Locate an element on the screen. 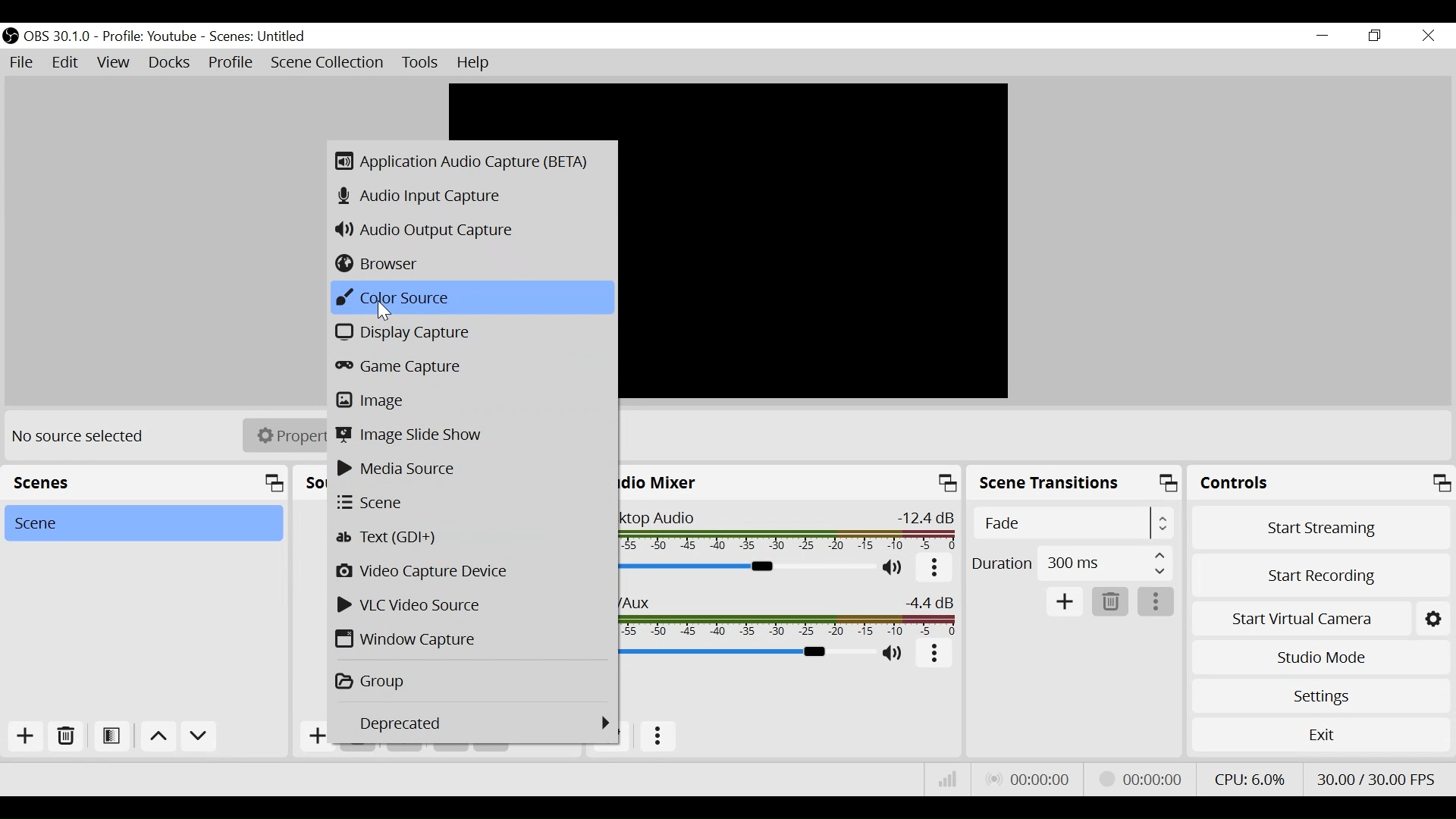  Media Source is located at coordinates (470, 468).